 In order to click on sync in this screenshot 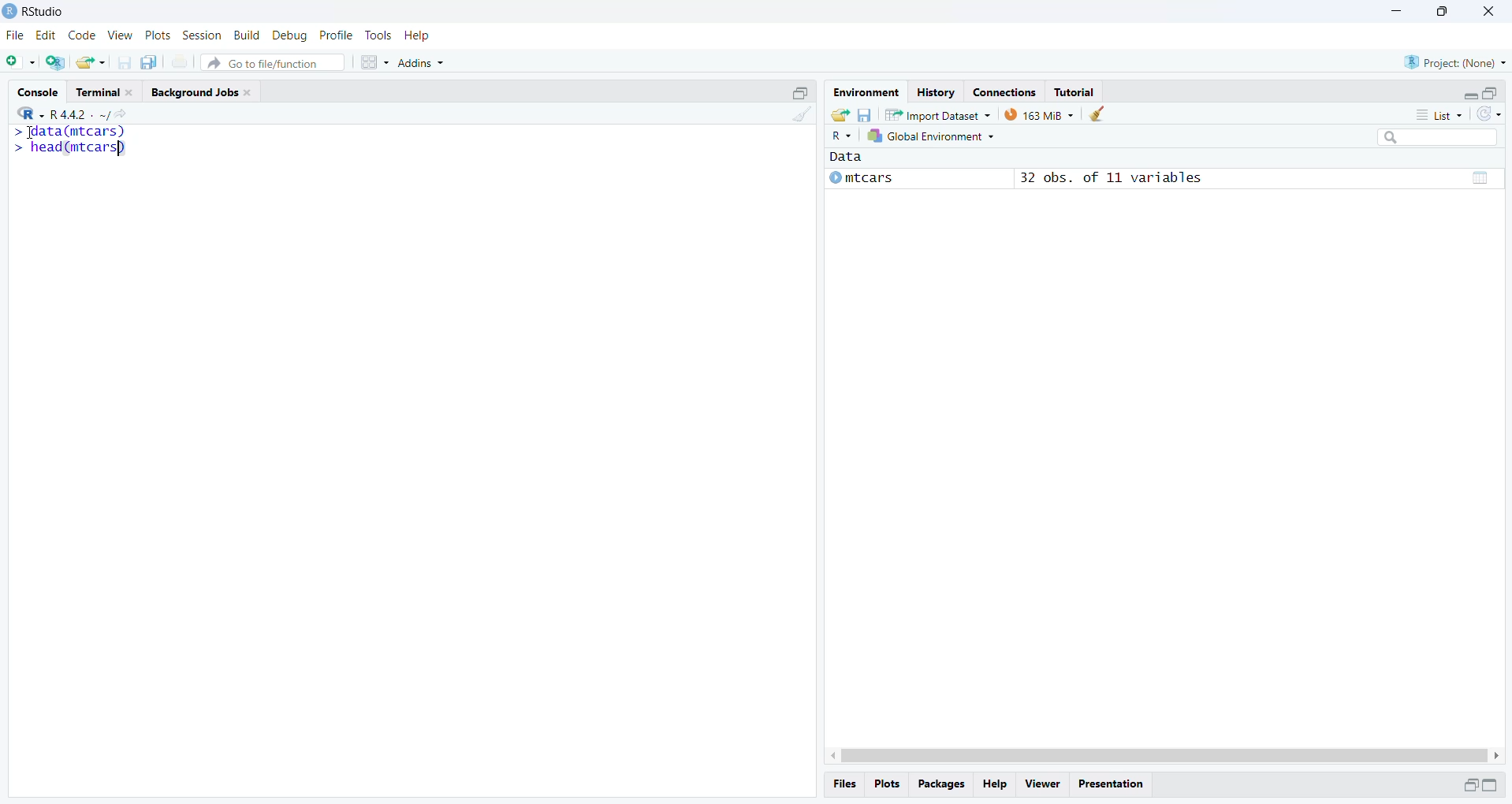, I will do `click(1490, 114)`.